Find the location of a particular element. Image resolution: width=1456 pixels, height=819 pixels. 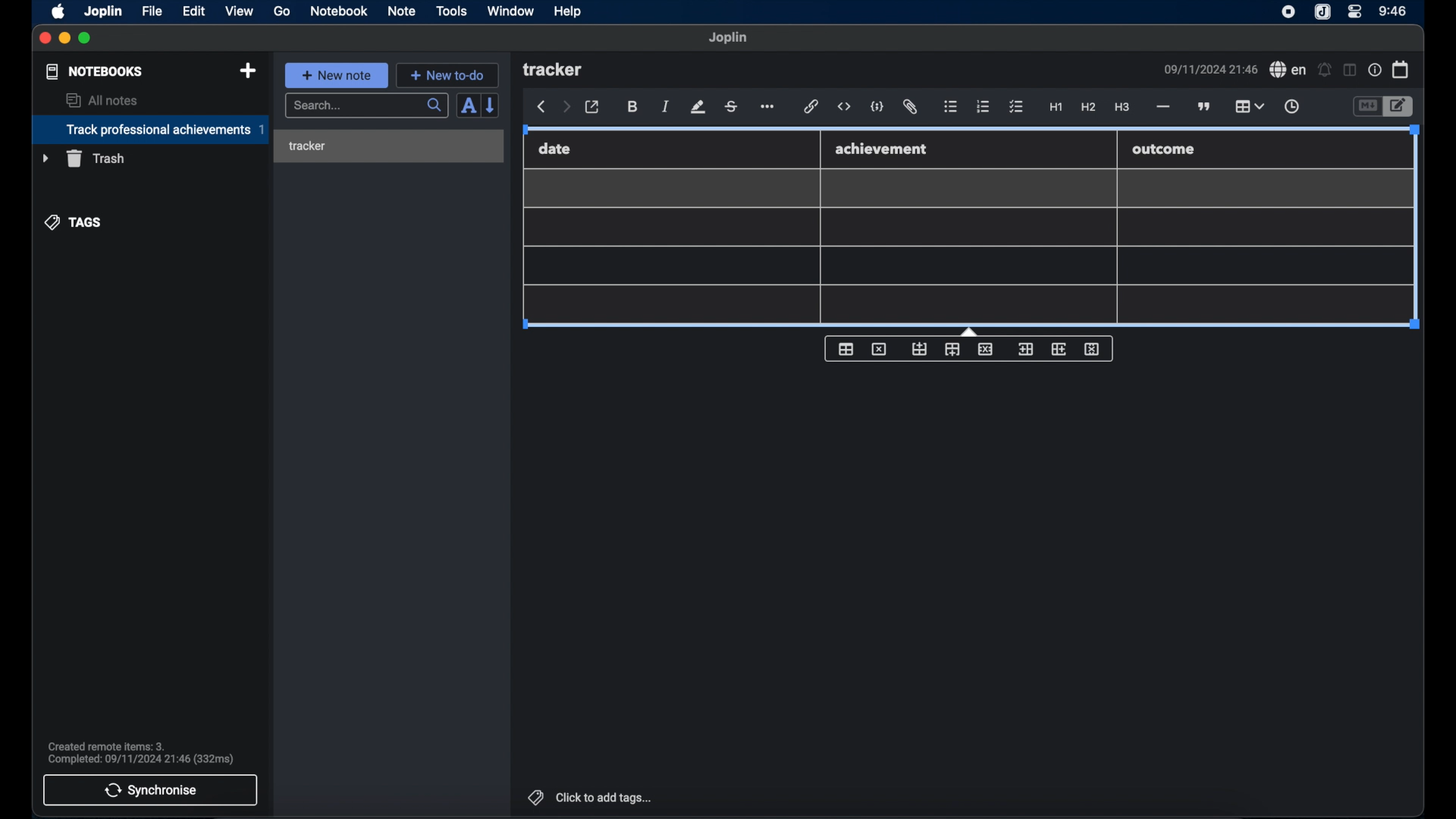

heading 2 is located at coordinates (1088, 108).